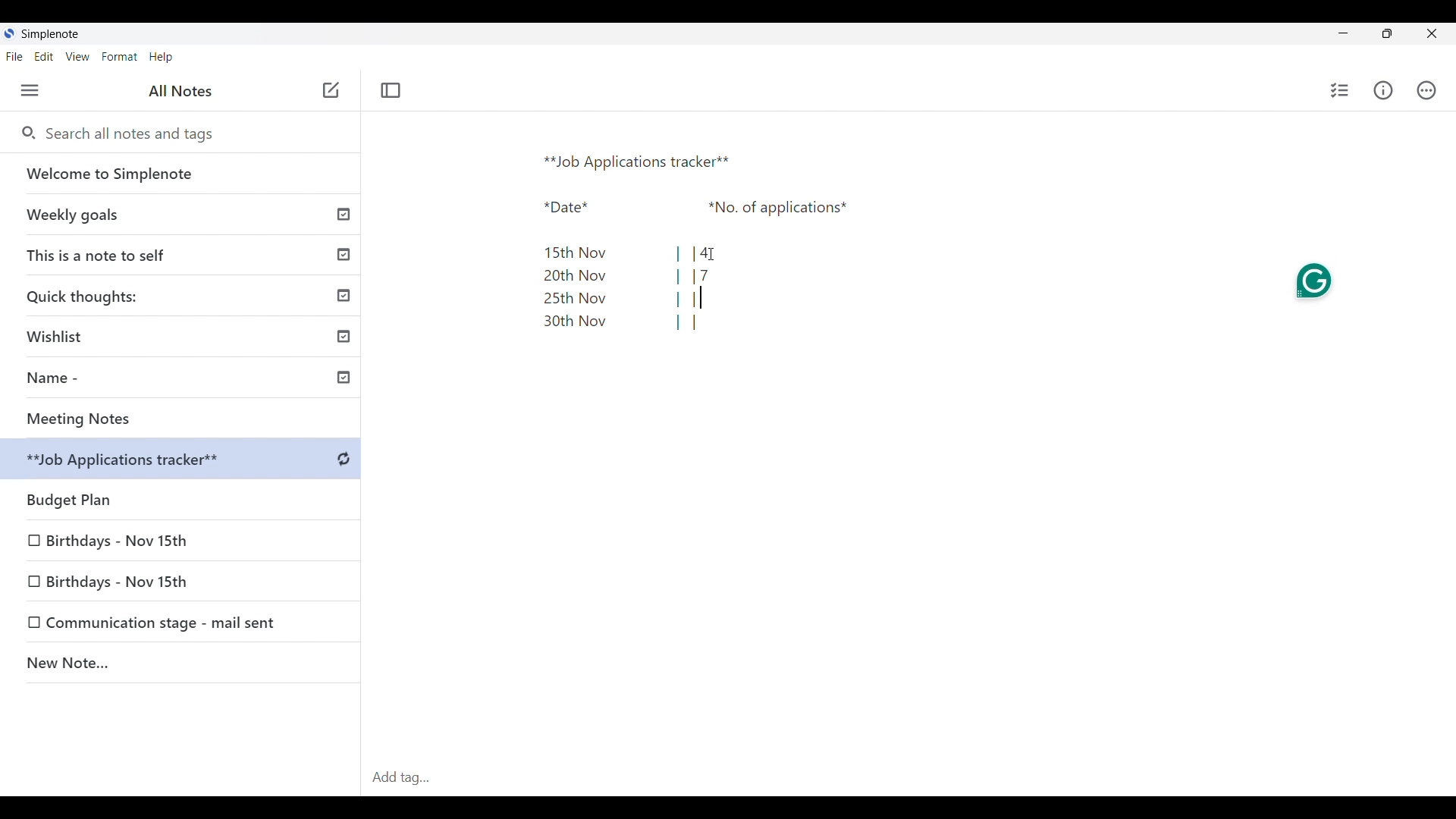  What do you see at coordinates (183, 254) in the screenshot?
I see `This is a note to self` at bounding box center [183, 254].